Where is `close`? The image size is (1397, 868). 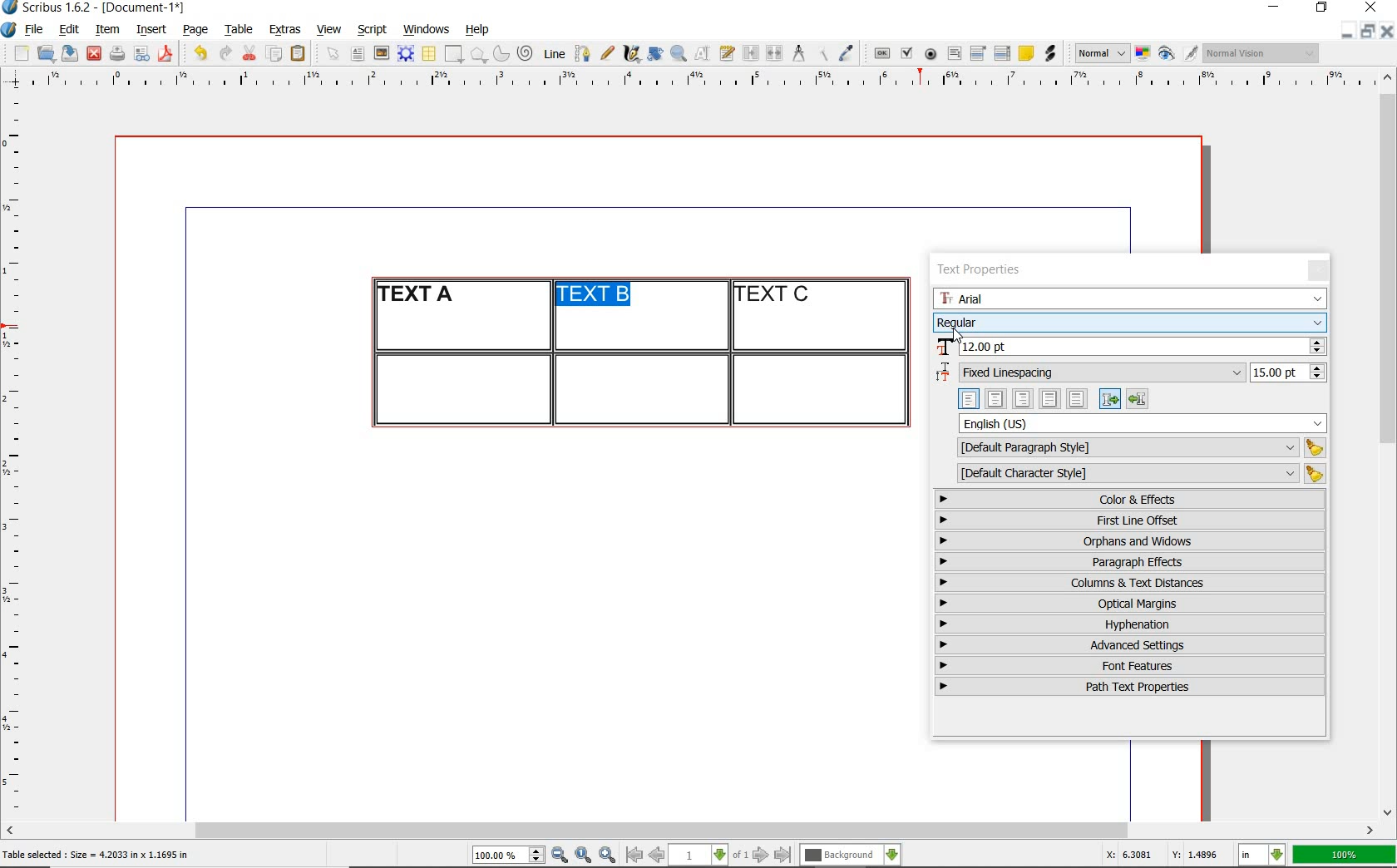
close is located at coordinates (1374, 7).